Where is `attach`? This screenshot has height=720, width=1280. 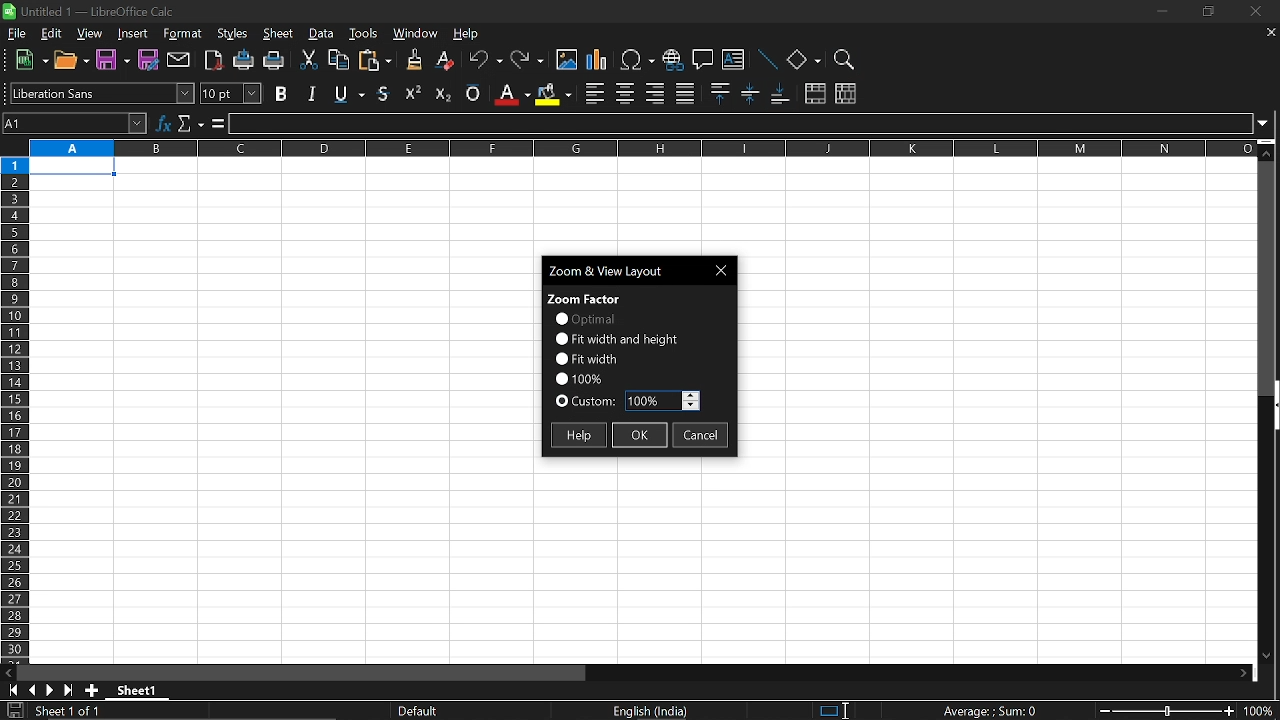
attach is located at coordinates (180, 61).